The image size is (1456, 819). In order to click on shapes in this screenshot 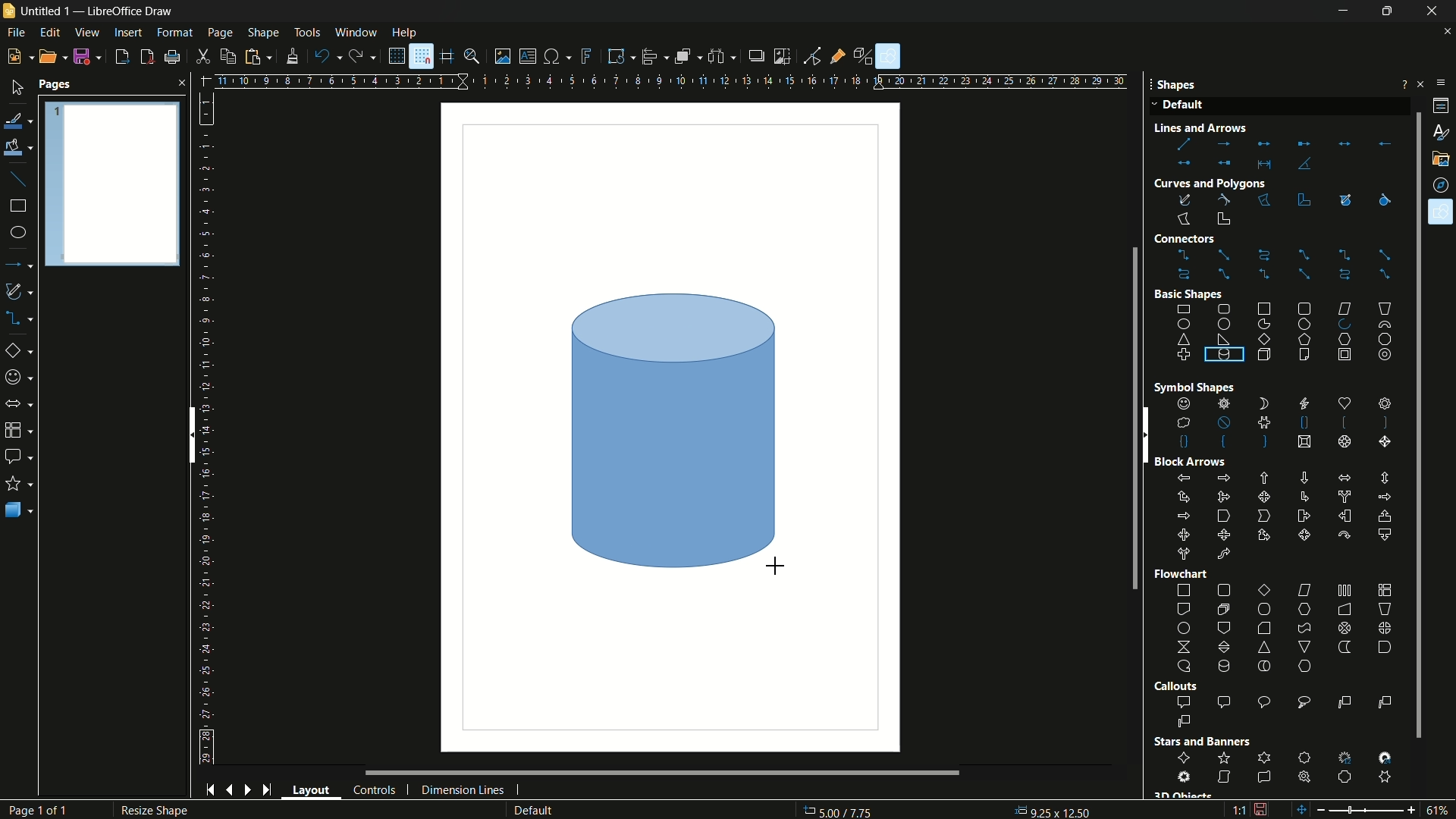, I will do `click(1282, 424)`.